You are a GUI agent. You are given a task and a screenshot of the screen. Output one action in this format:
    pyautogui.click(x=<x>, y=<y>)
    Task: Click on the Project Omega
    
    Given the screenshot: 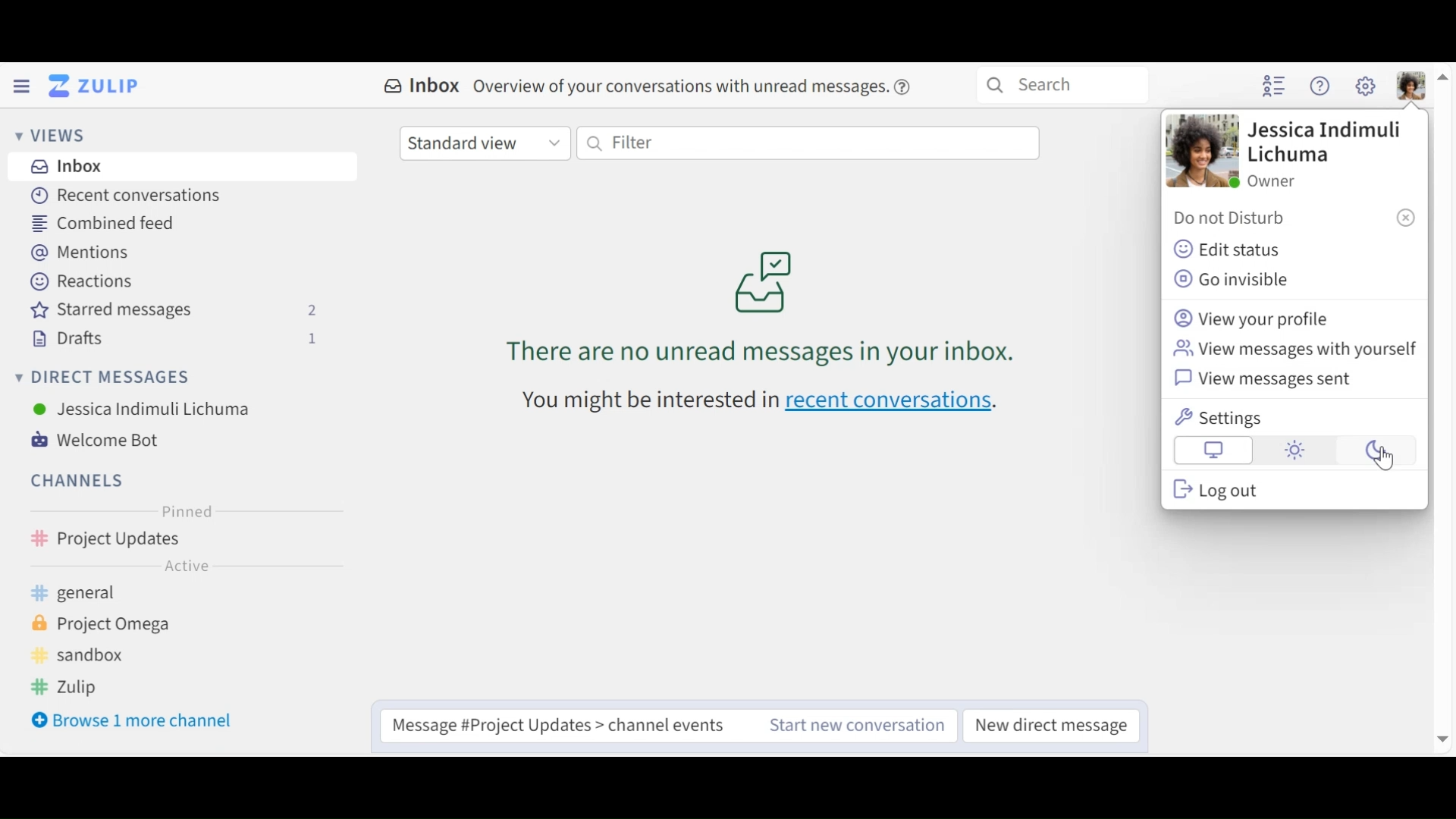 What is the action you would take?
    pyautogui.click(x=114, y=625)
    